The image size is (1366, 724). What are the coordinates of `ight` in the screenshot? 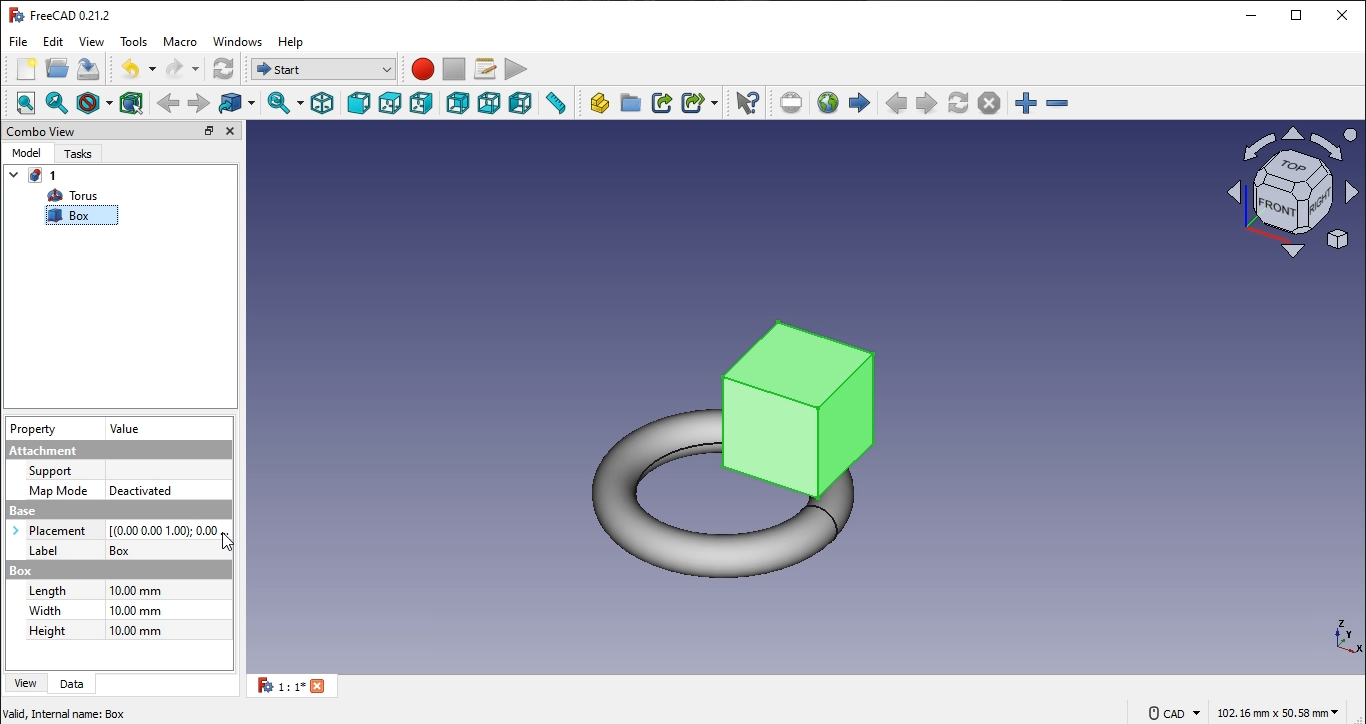 It's located at (423, 105).